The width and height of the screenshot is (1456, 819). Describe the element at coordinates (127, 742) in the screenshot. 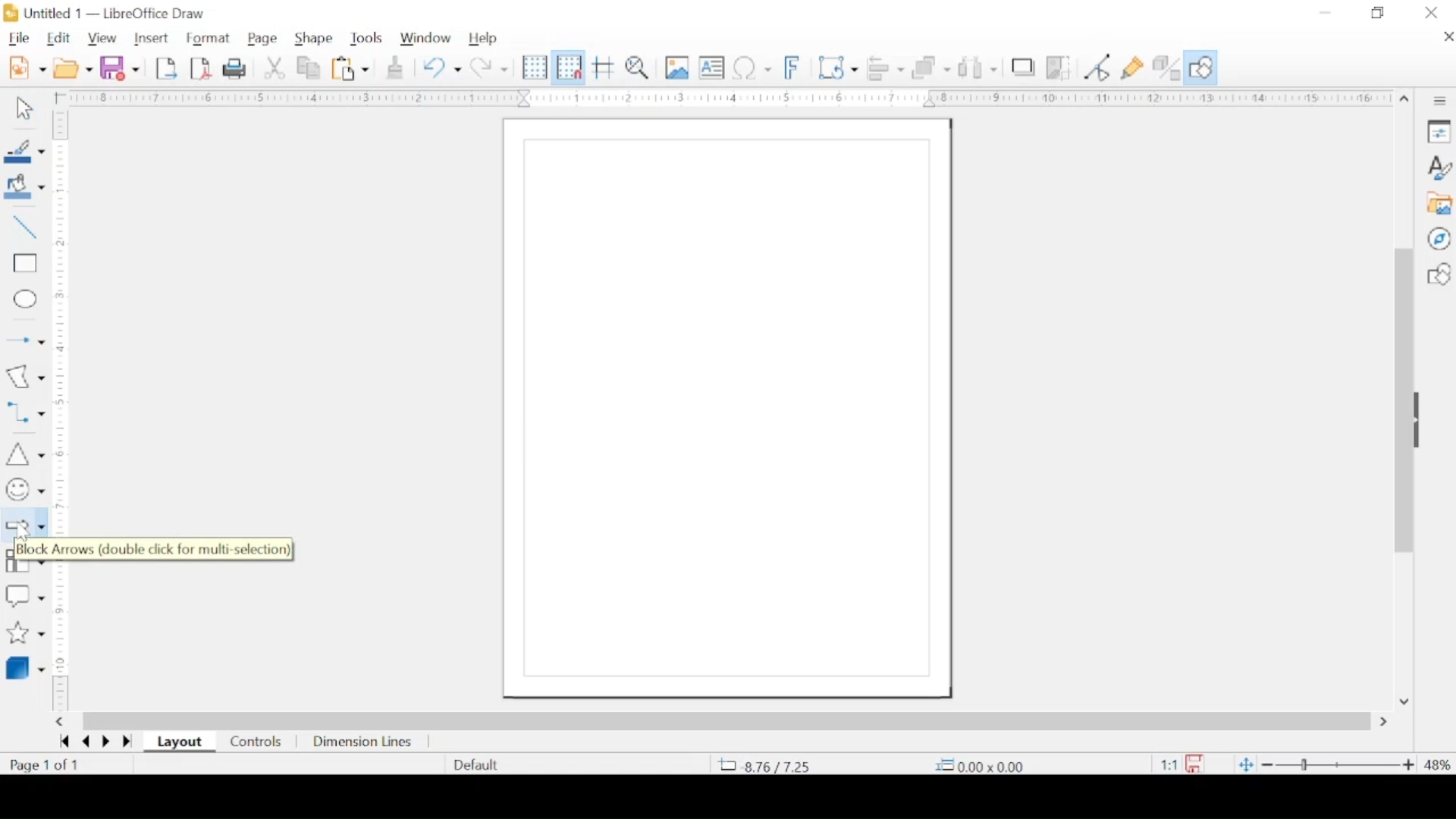

I see `last` at that location.